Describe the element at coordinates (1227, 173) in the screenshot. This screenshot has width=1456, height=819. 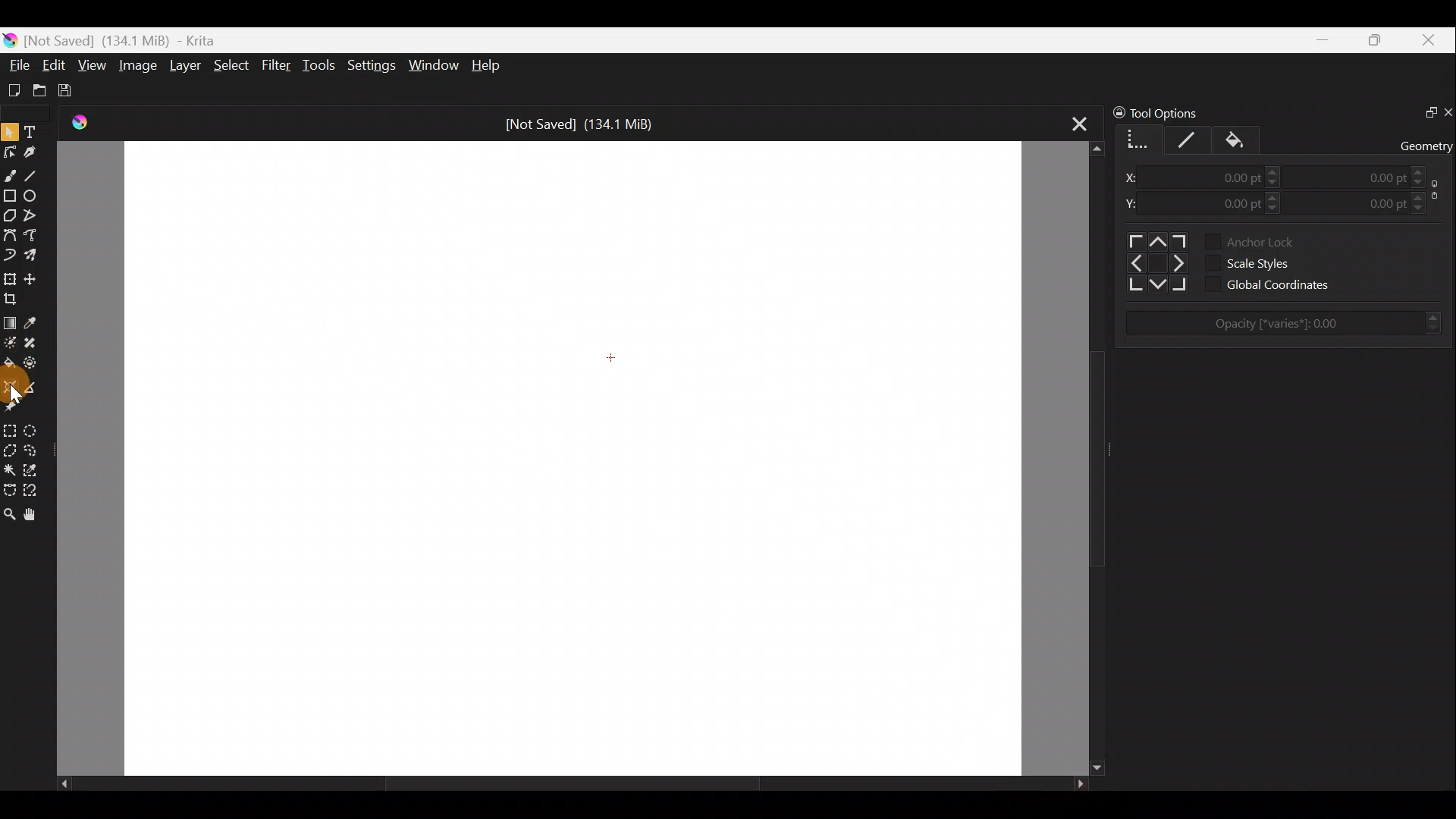
I see `0.00pt` at that location.